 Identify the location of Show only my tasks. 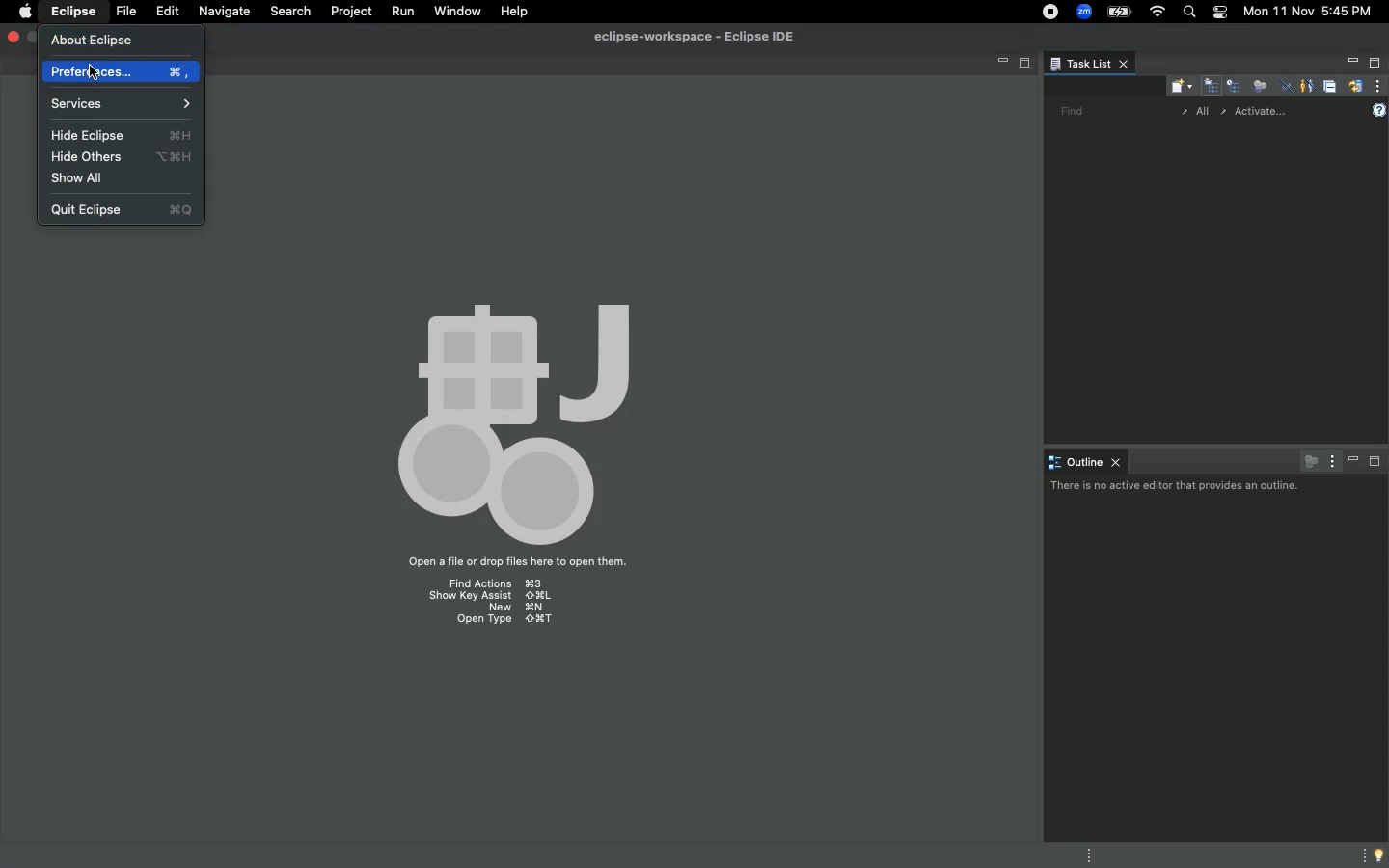
(1307, 86).